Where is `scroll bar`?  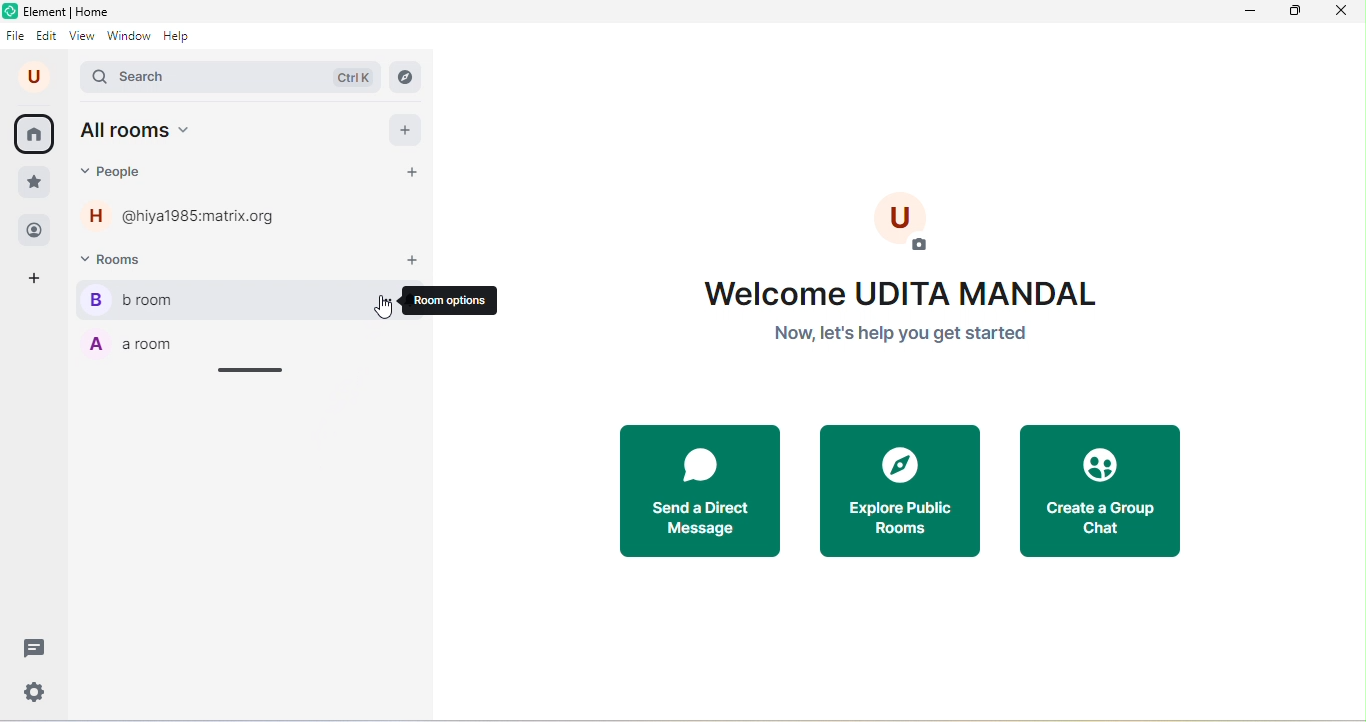 scroll bar is located at coordinates (252, 370).